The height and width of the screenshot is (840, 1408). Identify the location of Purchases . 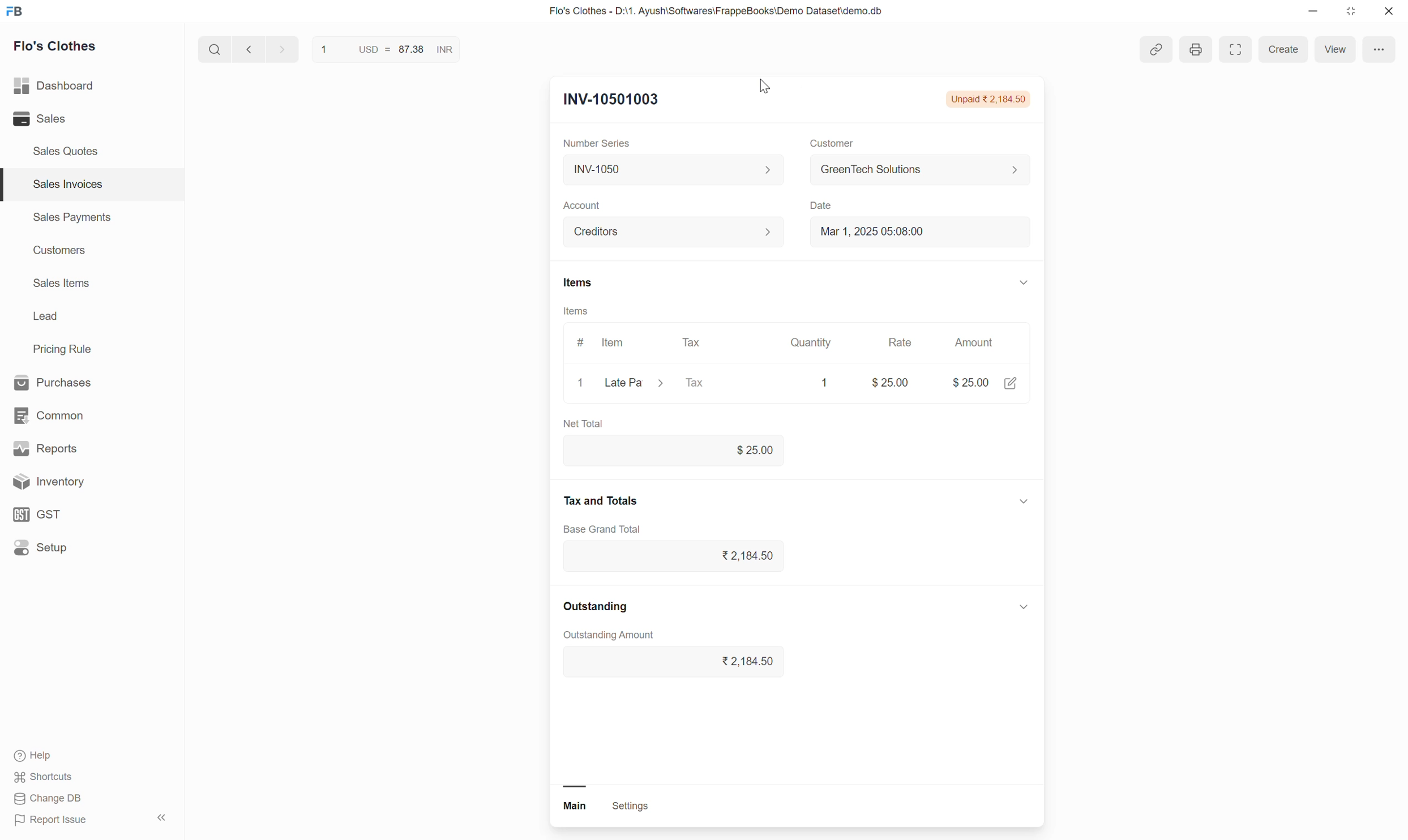
(71, 381).